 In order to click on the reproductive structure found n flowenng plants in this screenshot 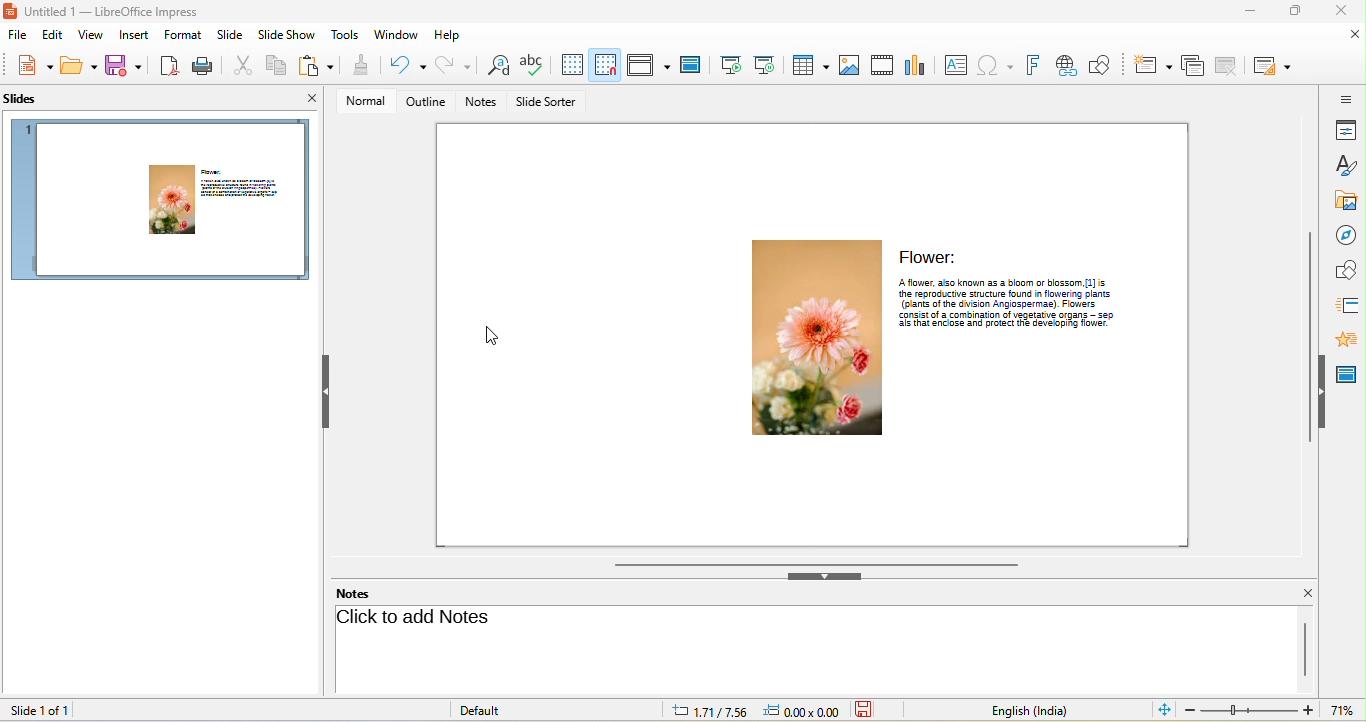, I will do `click(1001, 293)`.